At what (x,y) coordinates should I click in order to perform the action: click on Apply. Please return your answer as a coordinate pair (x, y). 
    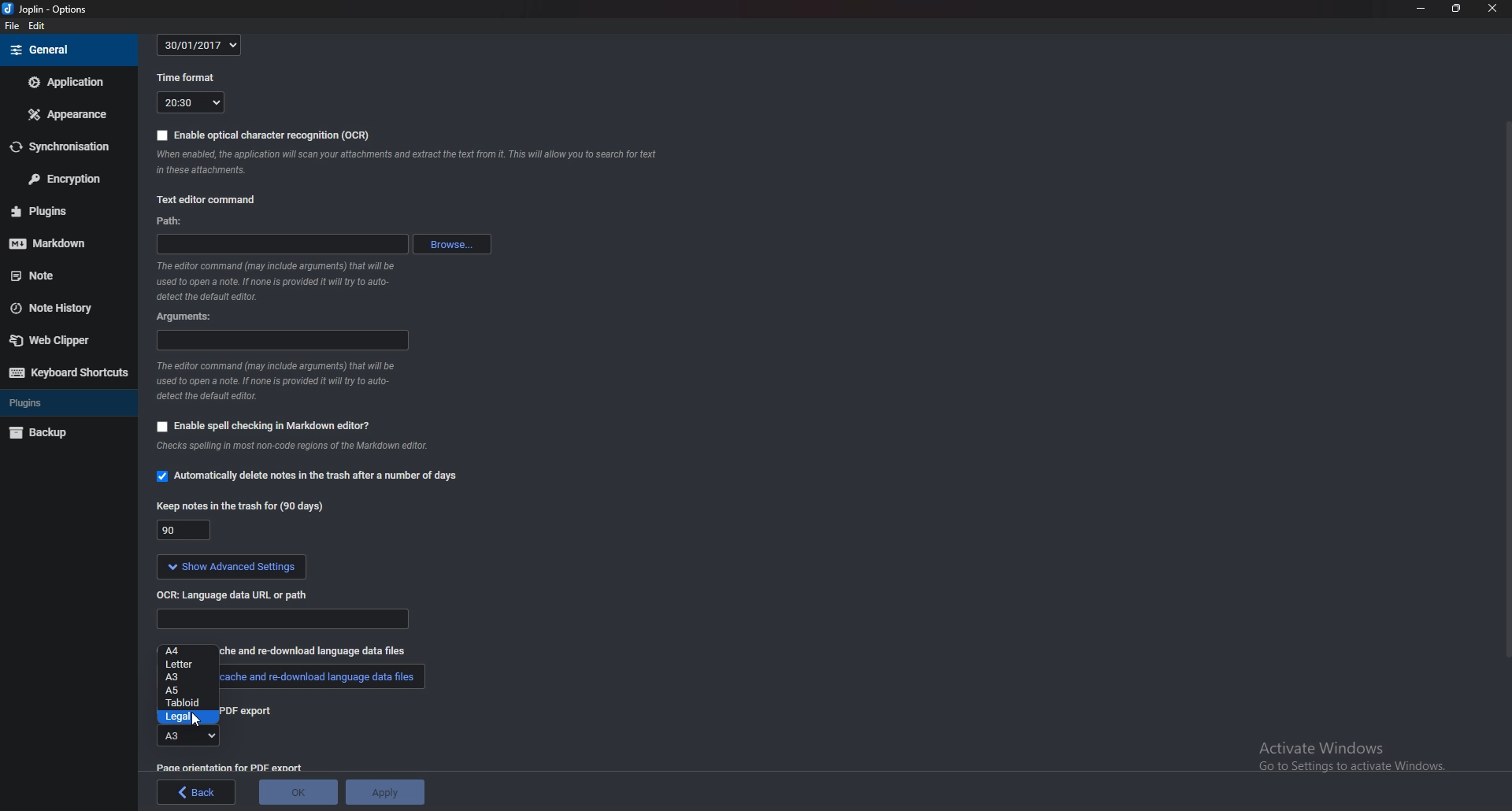
    Looking at the image, I should click on (385, 793).